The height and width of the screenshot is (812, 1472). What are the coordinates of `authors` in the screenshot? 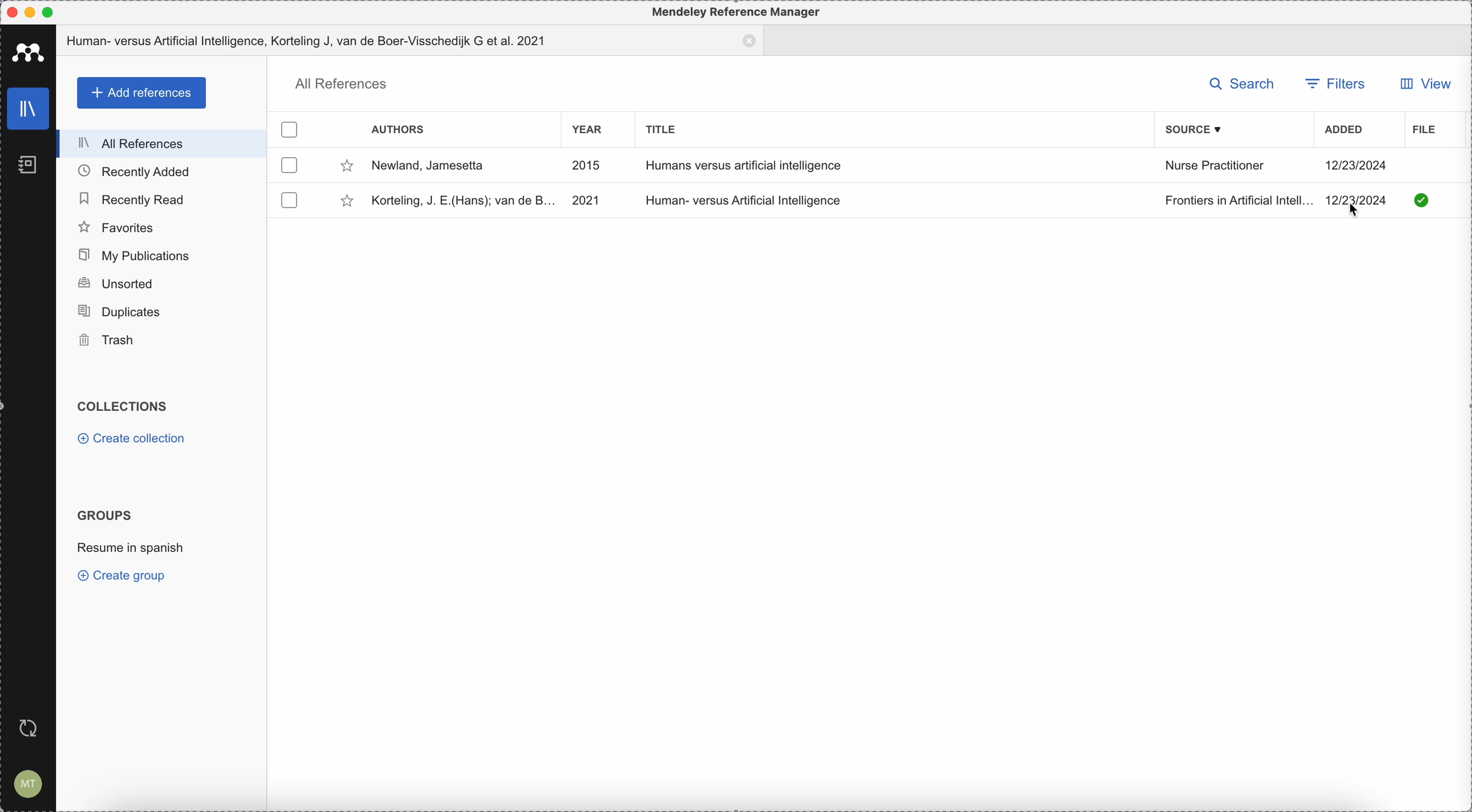 It's located at (399, 129).